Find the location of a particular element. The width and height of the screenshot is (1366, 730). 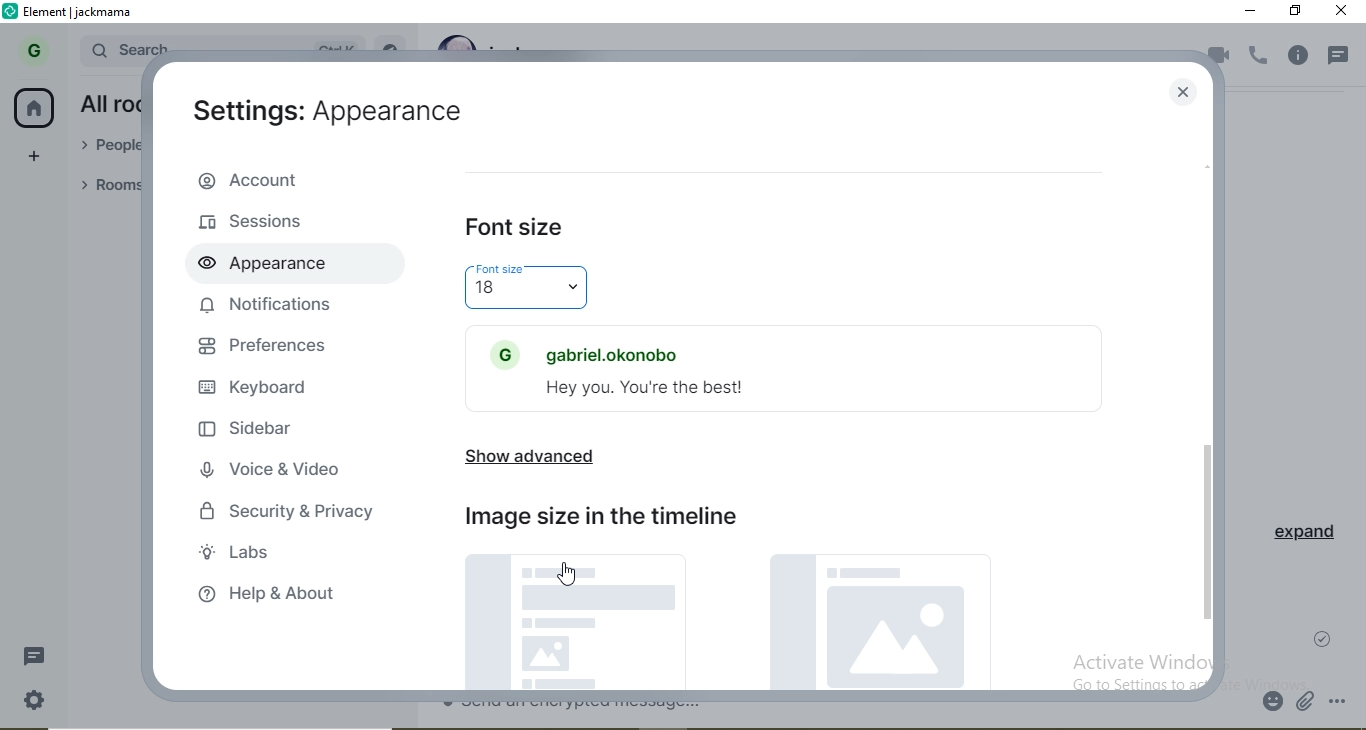

G is located at coordinates (30, 52).